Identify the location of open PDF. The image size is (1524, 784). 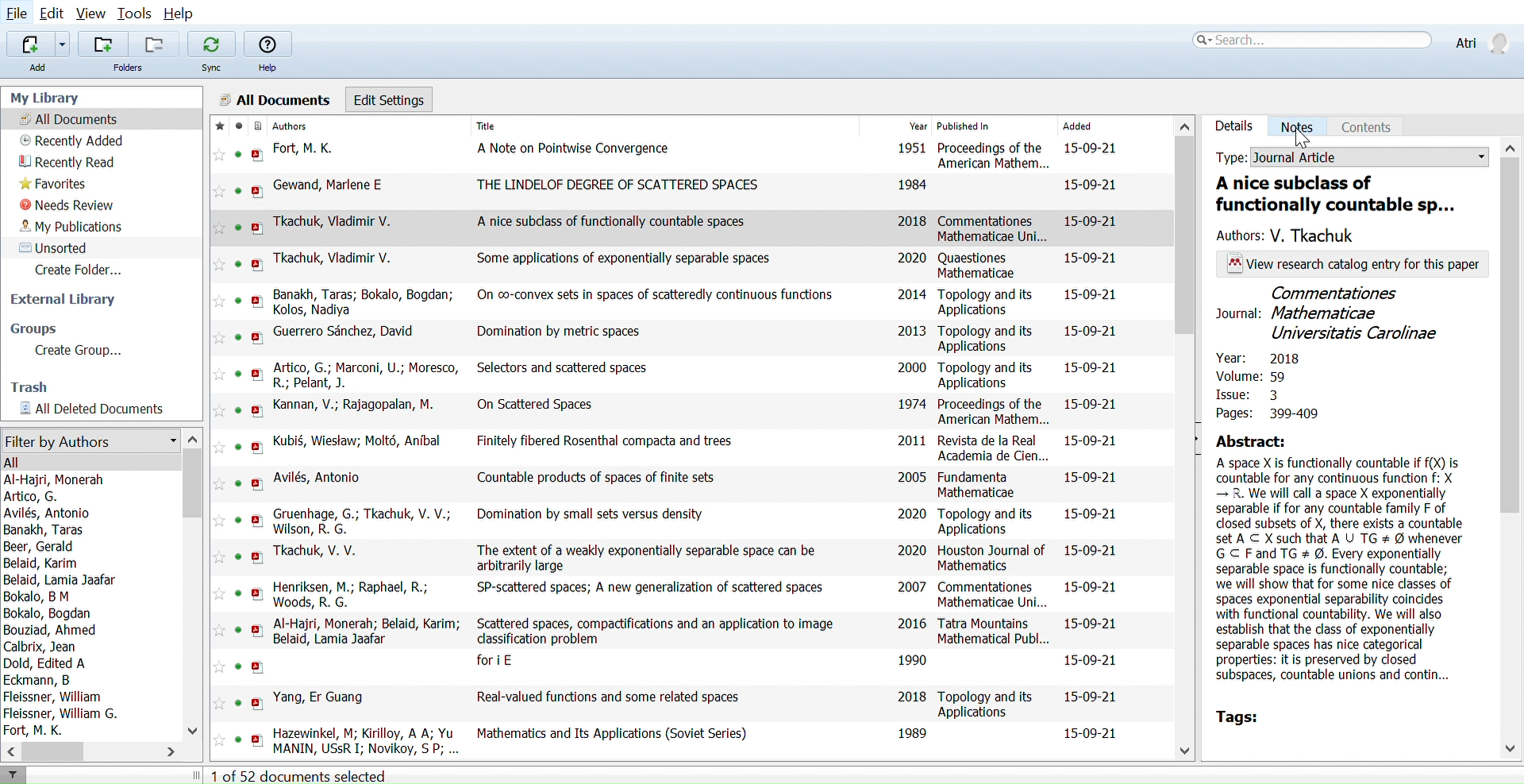
(257, 594).